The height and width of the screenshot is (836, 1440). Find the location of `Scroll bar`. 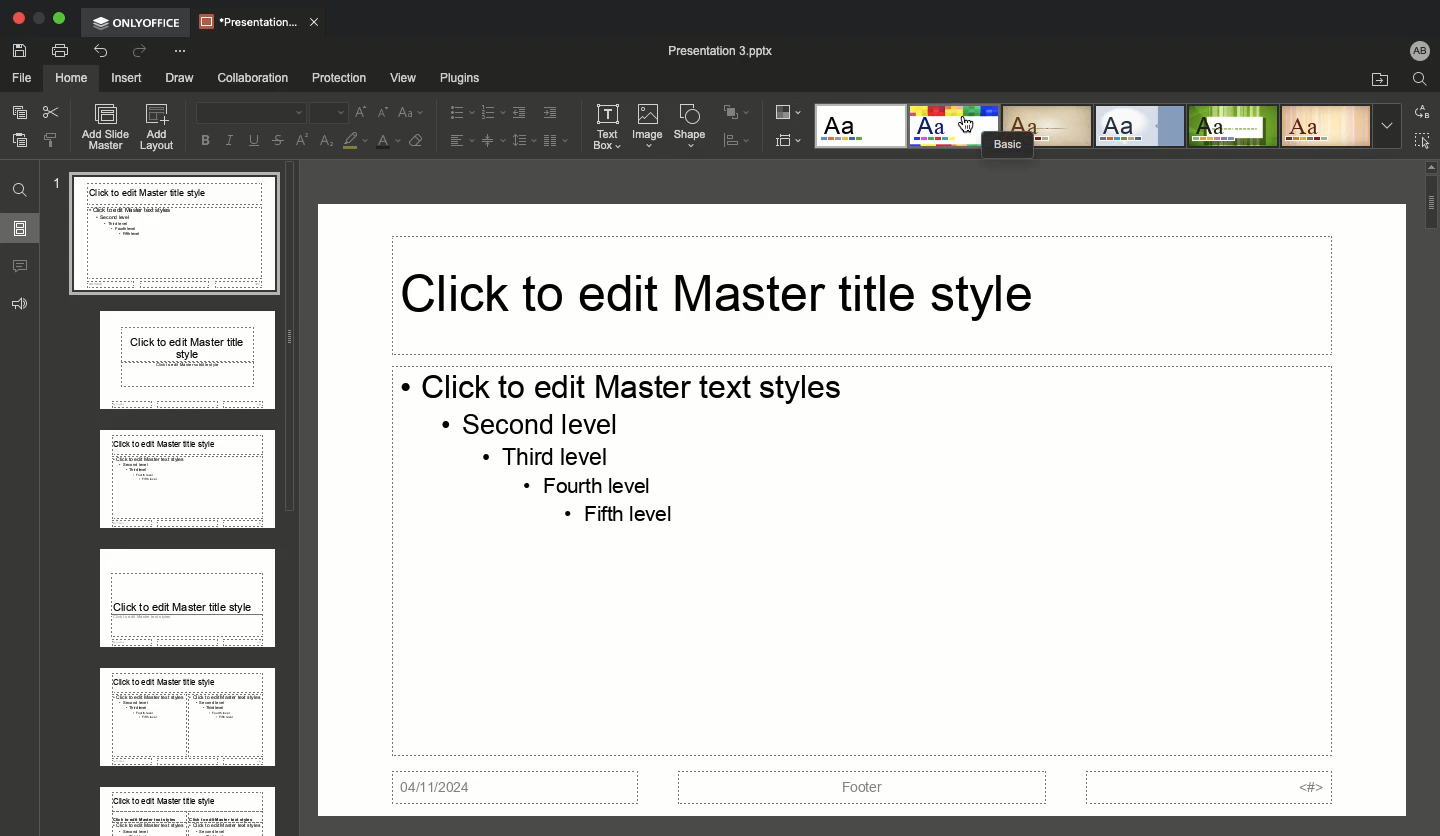

Scroll bar is located at coordinates (1429, 493).